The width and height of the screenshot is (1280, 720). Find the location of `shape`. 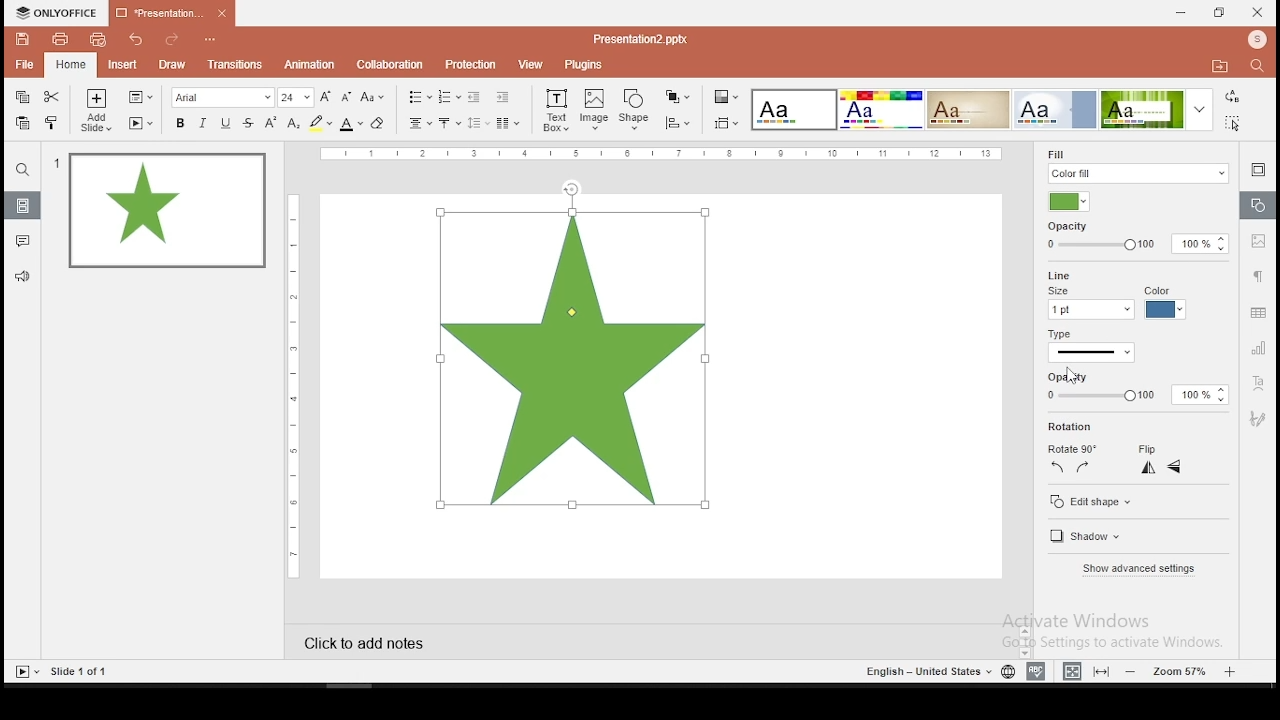

shape is located at coordinates (637, 111).